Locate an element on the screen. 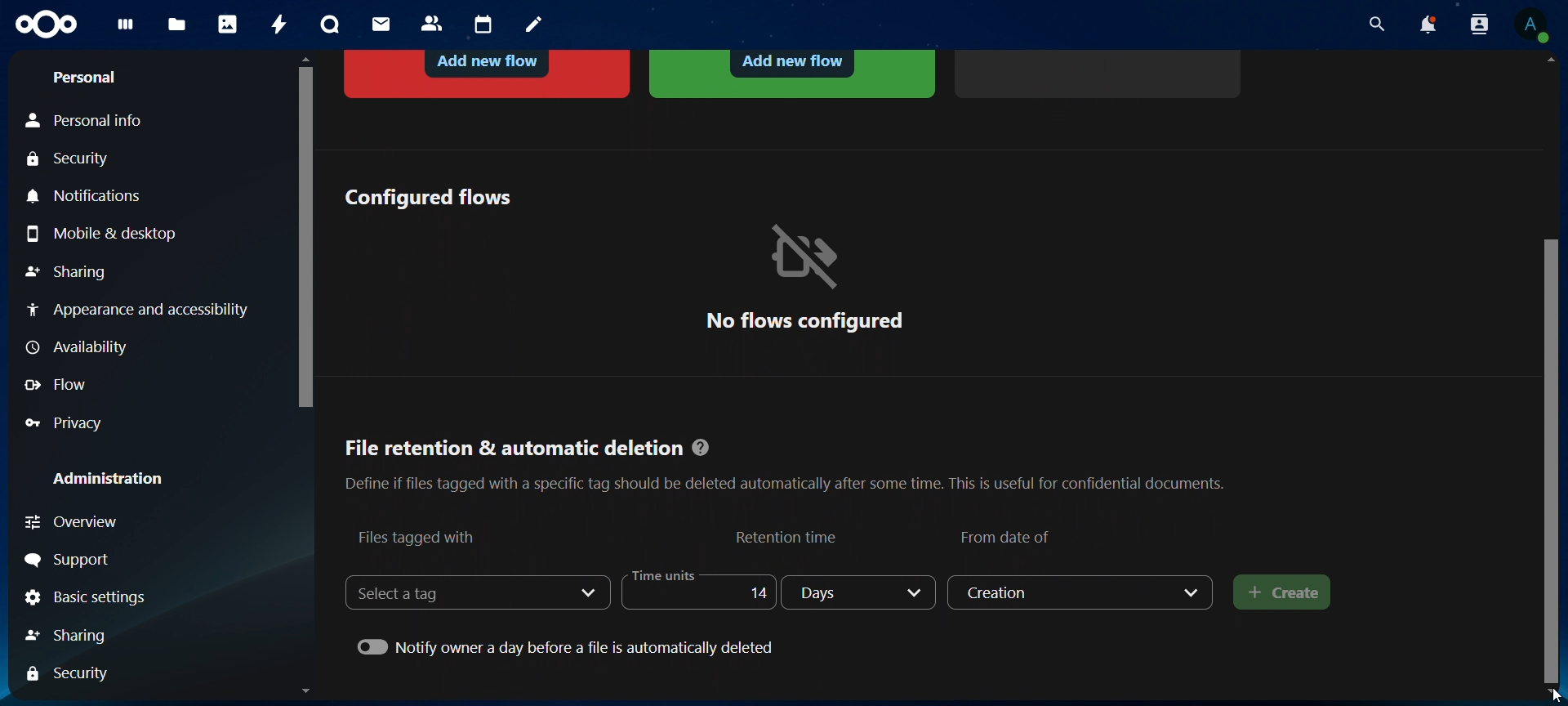 This screenshot has width=1568, height=706. create is located at coordinates (1283, 594).